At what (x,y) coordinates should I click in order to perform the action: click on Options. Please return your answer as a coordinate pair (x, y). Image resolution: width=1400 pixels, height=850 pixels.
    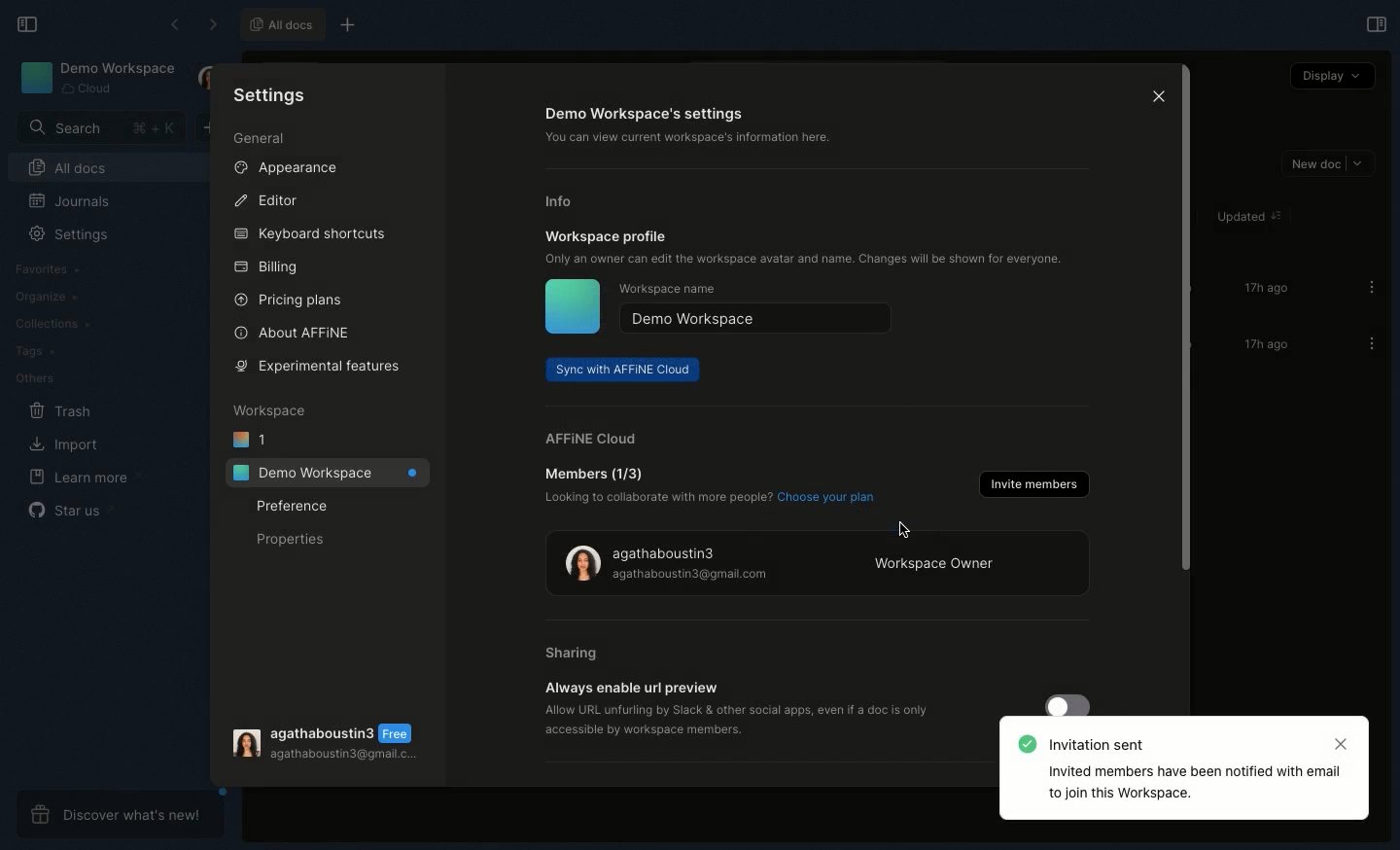
    Looking at the image, I should click on (1366, 287).